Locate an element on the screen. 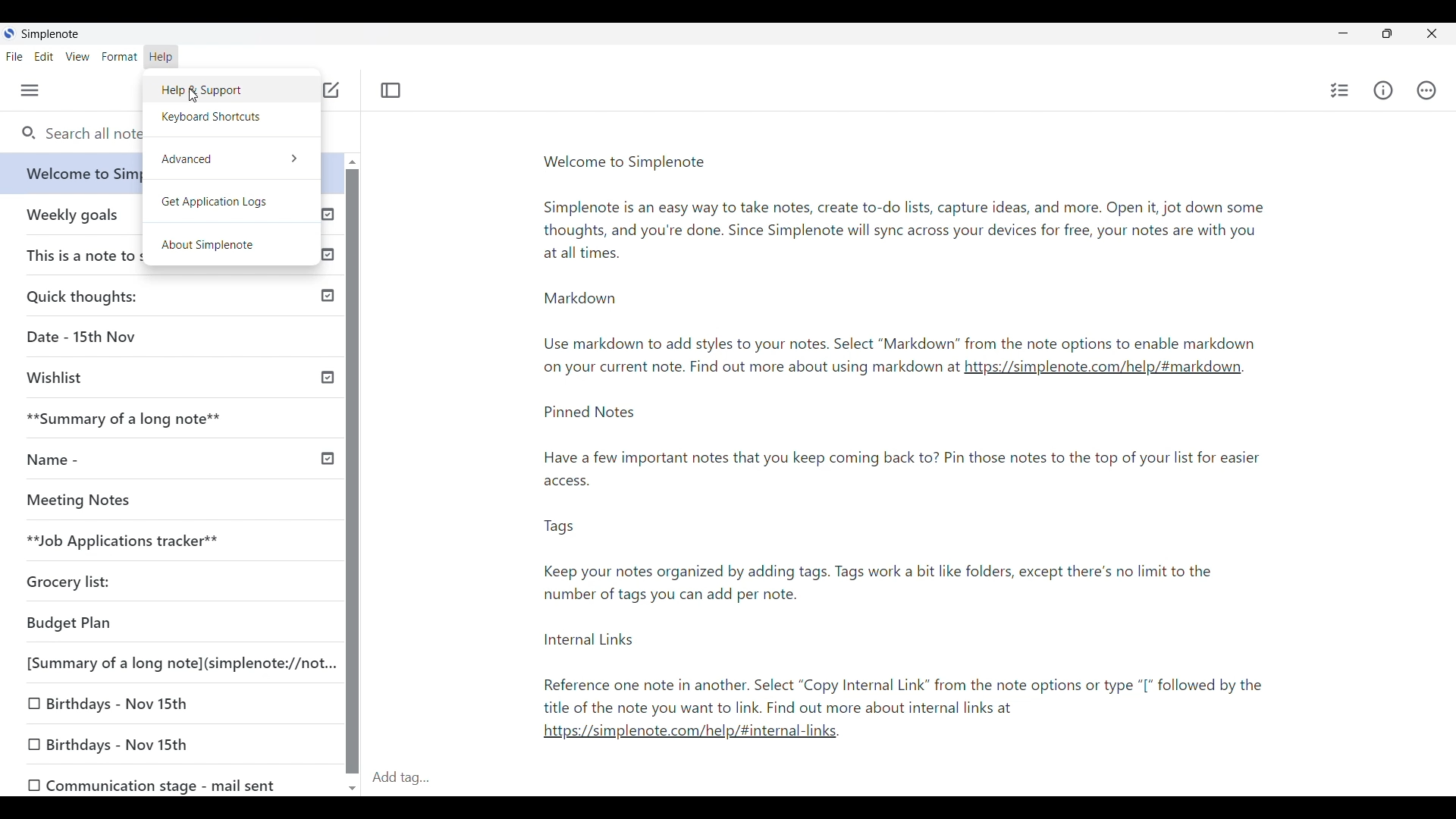 This screenshot has width=1456, height=819. Welcome to simplenote-note1 is located at coordinates (902, 253).